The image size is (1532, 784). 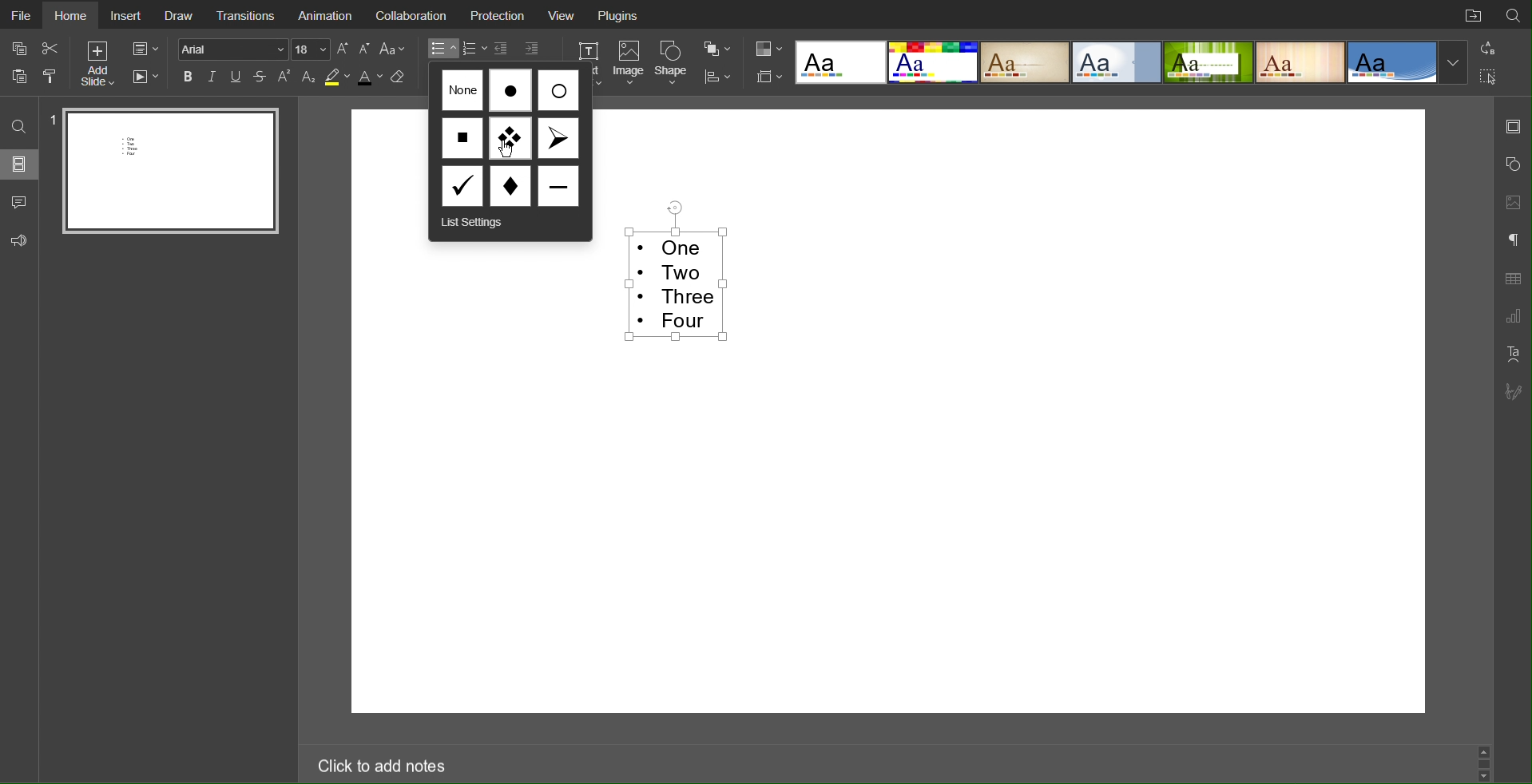 I want to click on Paragraph Settings, so click(x=1512, y=240).